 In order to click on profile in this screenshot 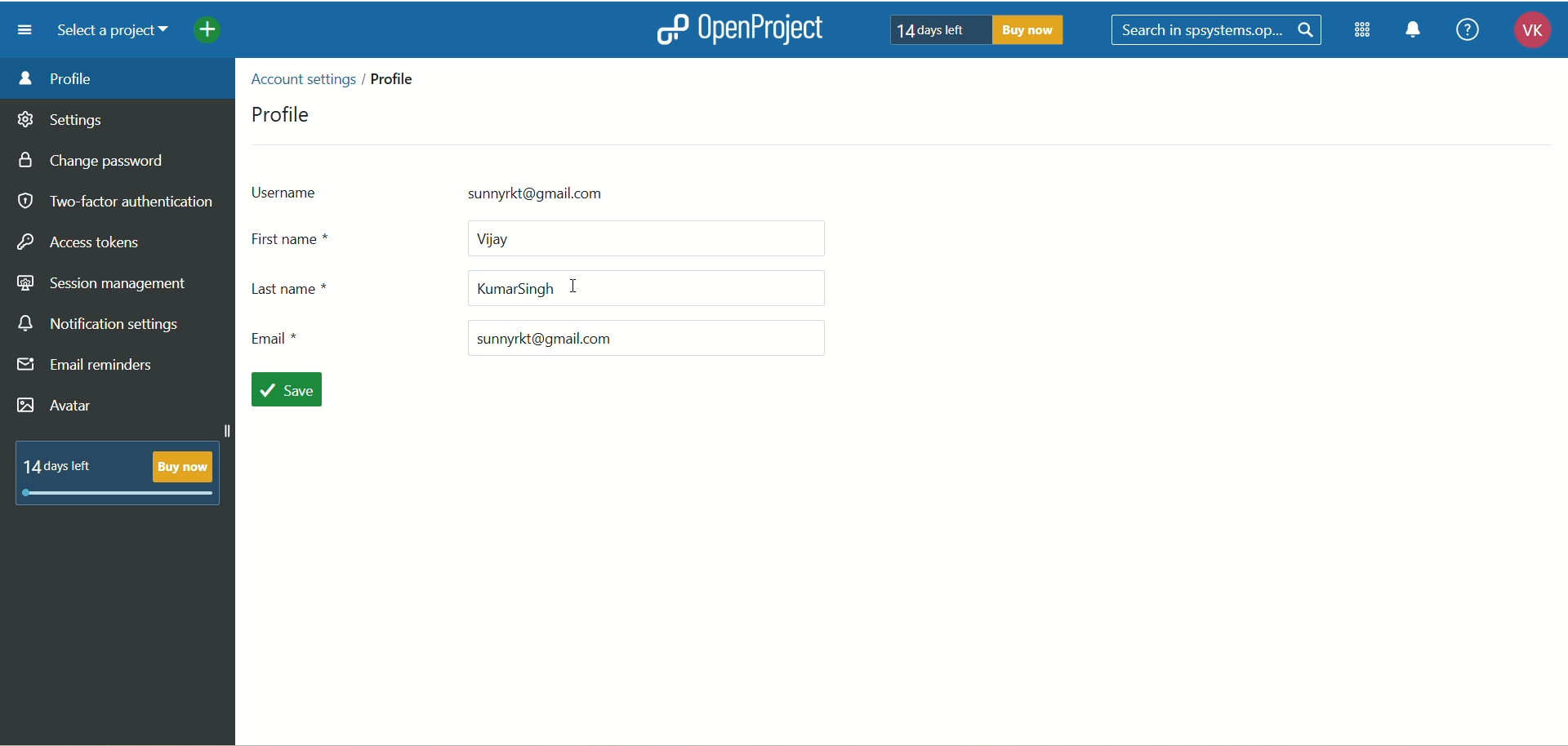, I will do `click(283, 113)`.